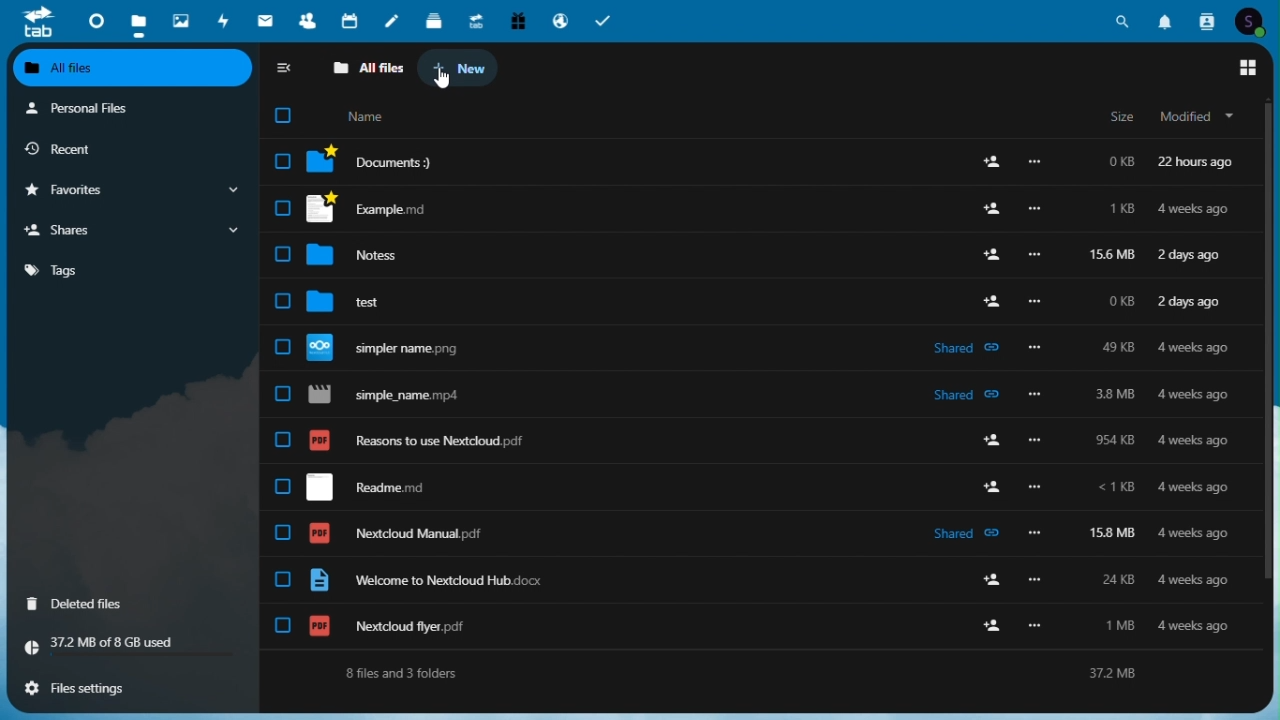 The width and height of the screenshot is (1280, 720). What do you see at coordinates (404, 533) in the screenshot?
I see `nextcloud manual.pdf` at bounding box center [404, 533].